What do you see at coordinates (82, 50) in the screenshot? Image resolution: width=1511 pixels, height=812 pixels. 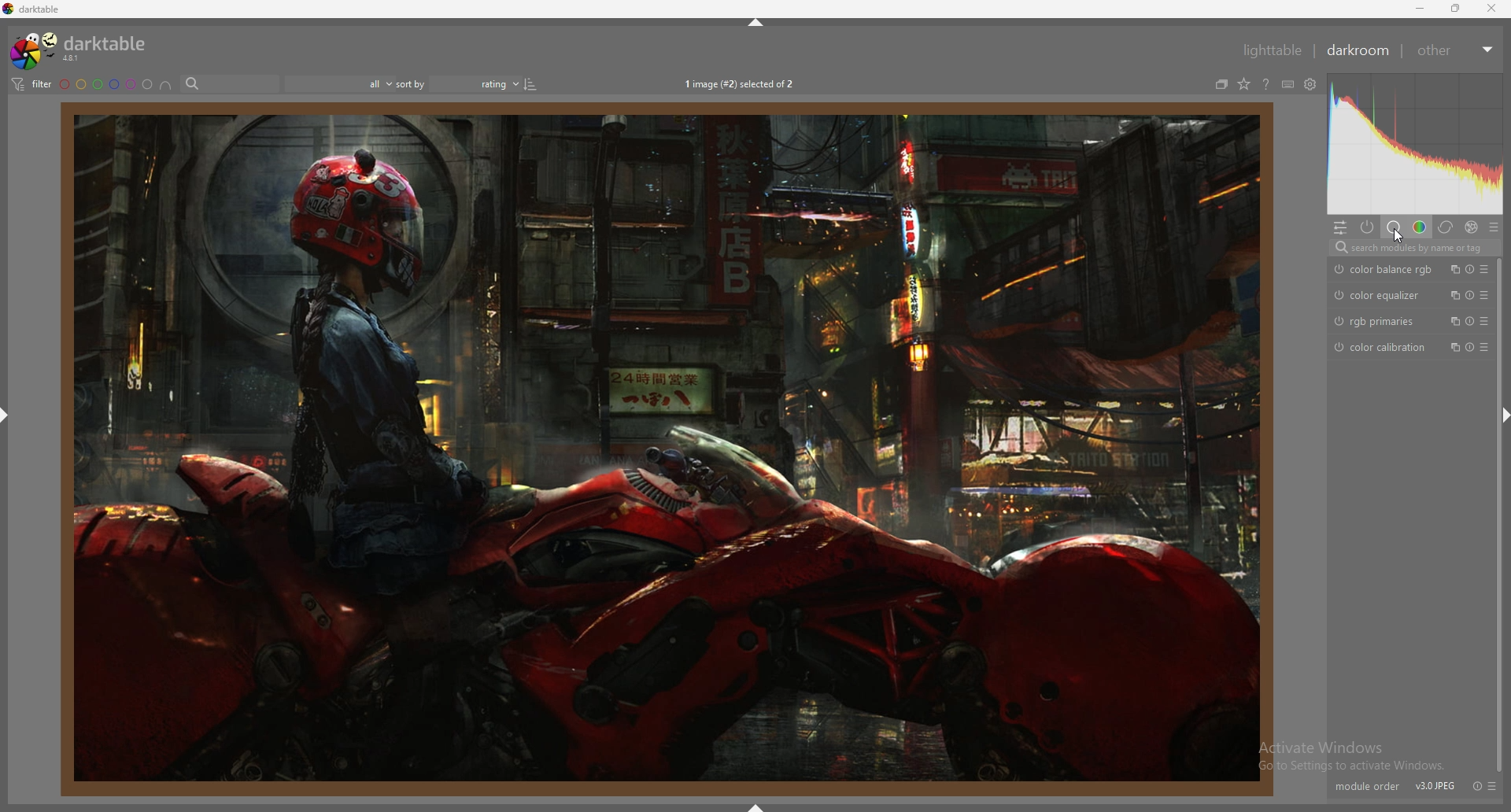 I see `darktable` at bounding box center [82, 50].